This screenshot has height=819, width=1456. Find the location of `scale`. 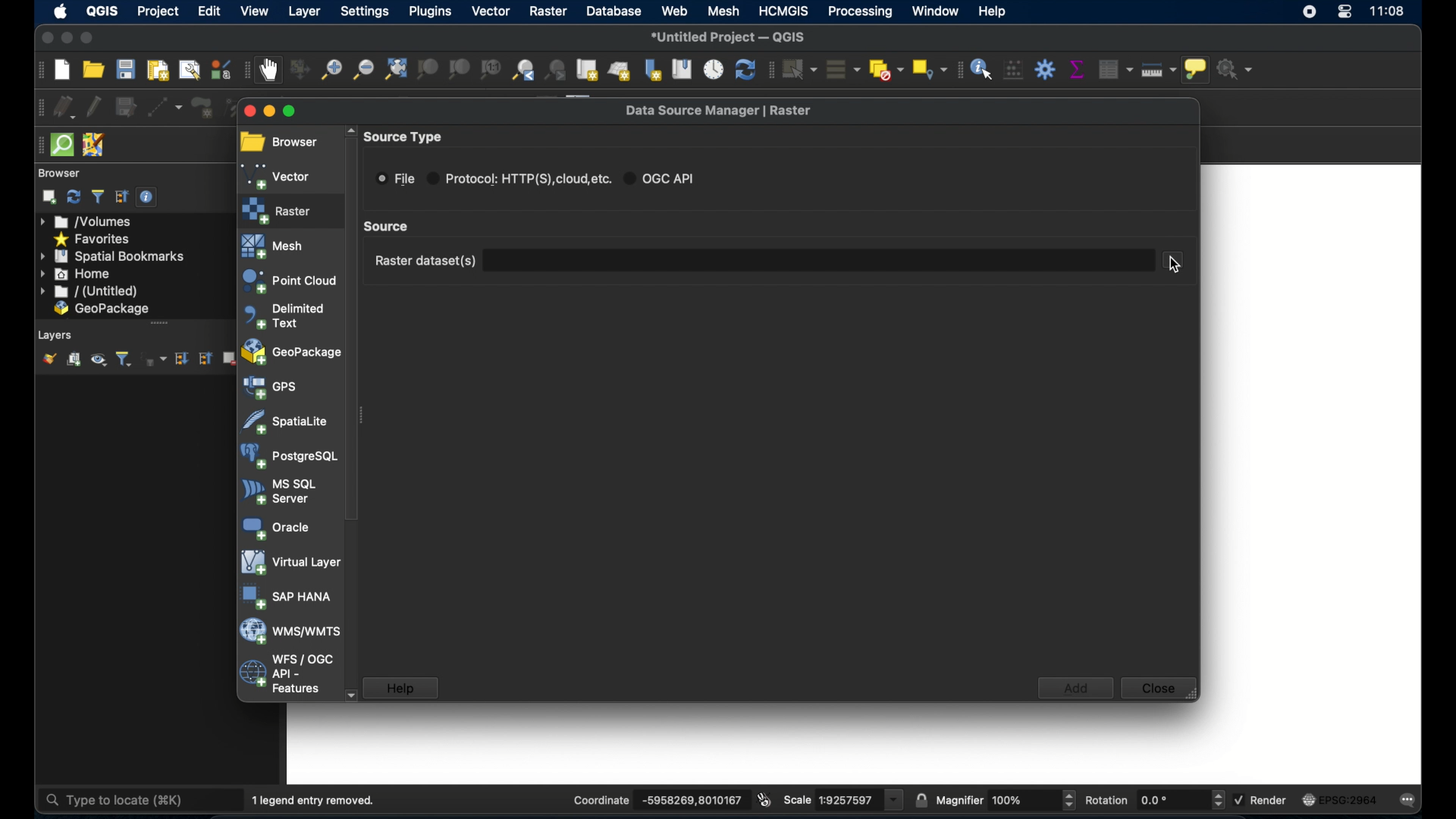

scale is located at coordinates (798, 800).